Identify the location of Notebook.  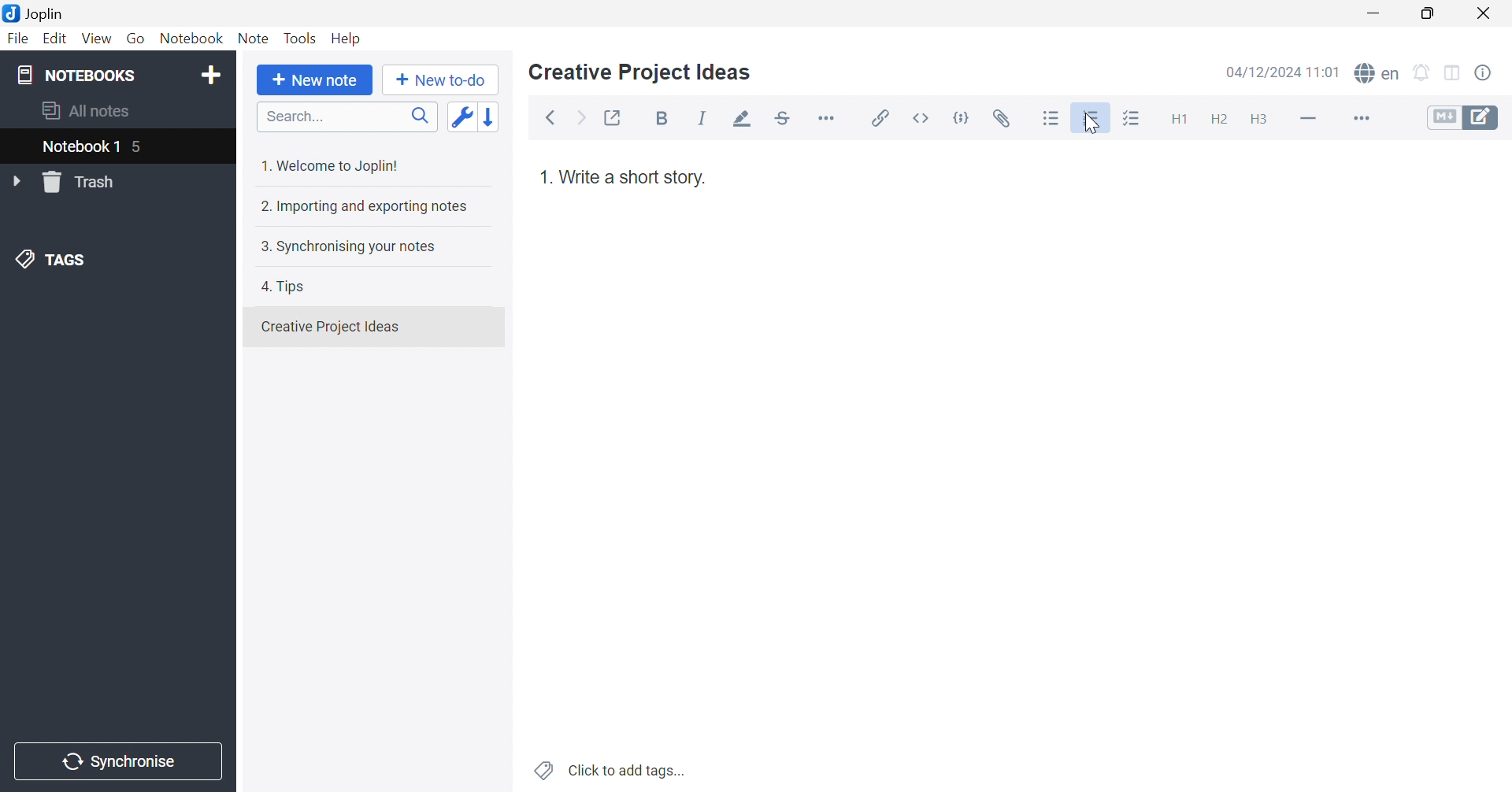
(195, 41).